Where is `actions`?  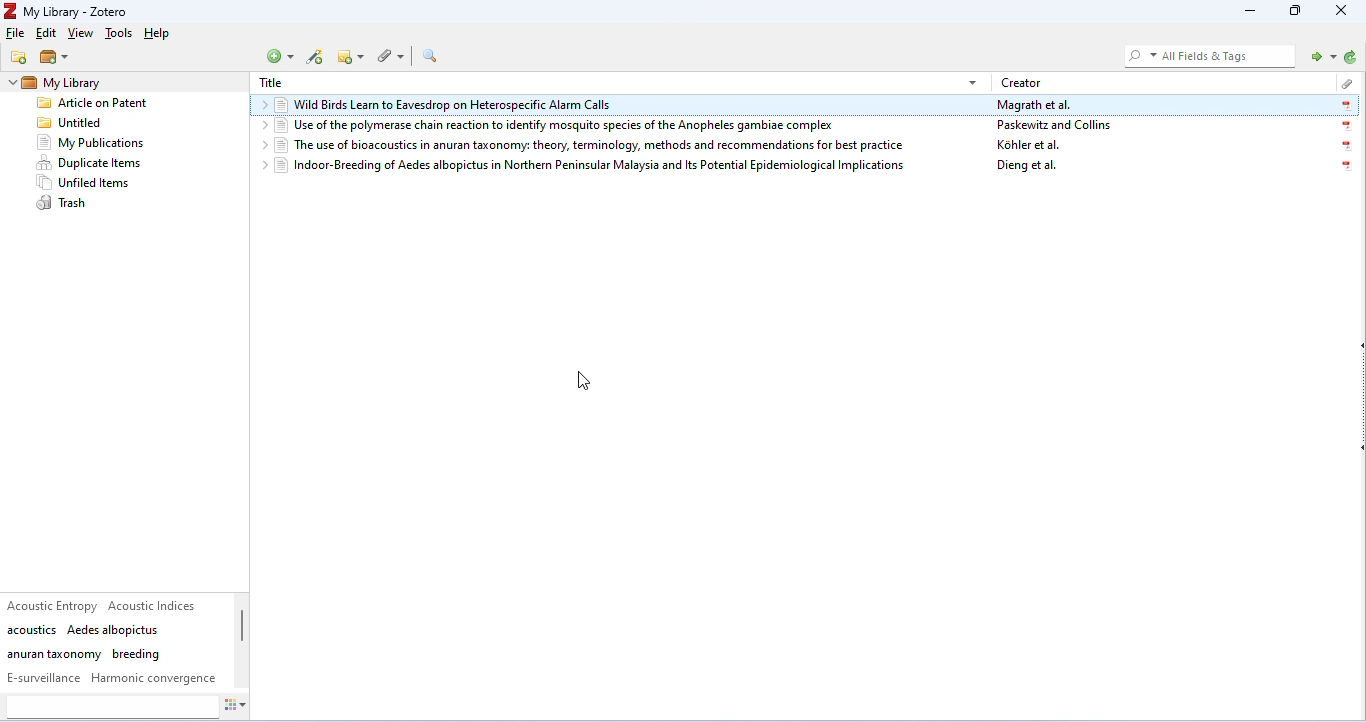 actions is located at coordinates (244, 707).